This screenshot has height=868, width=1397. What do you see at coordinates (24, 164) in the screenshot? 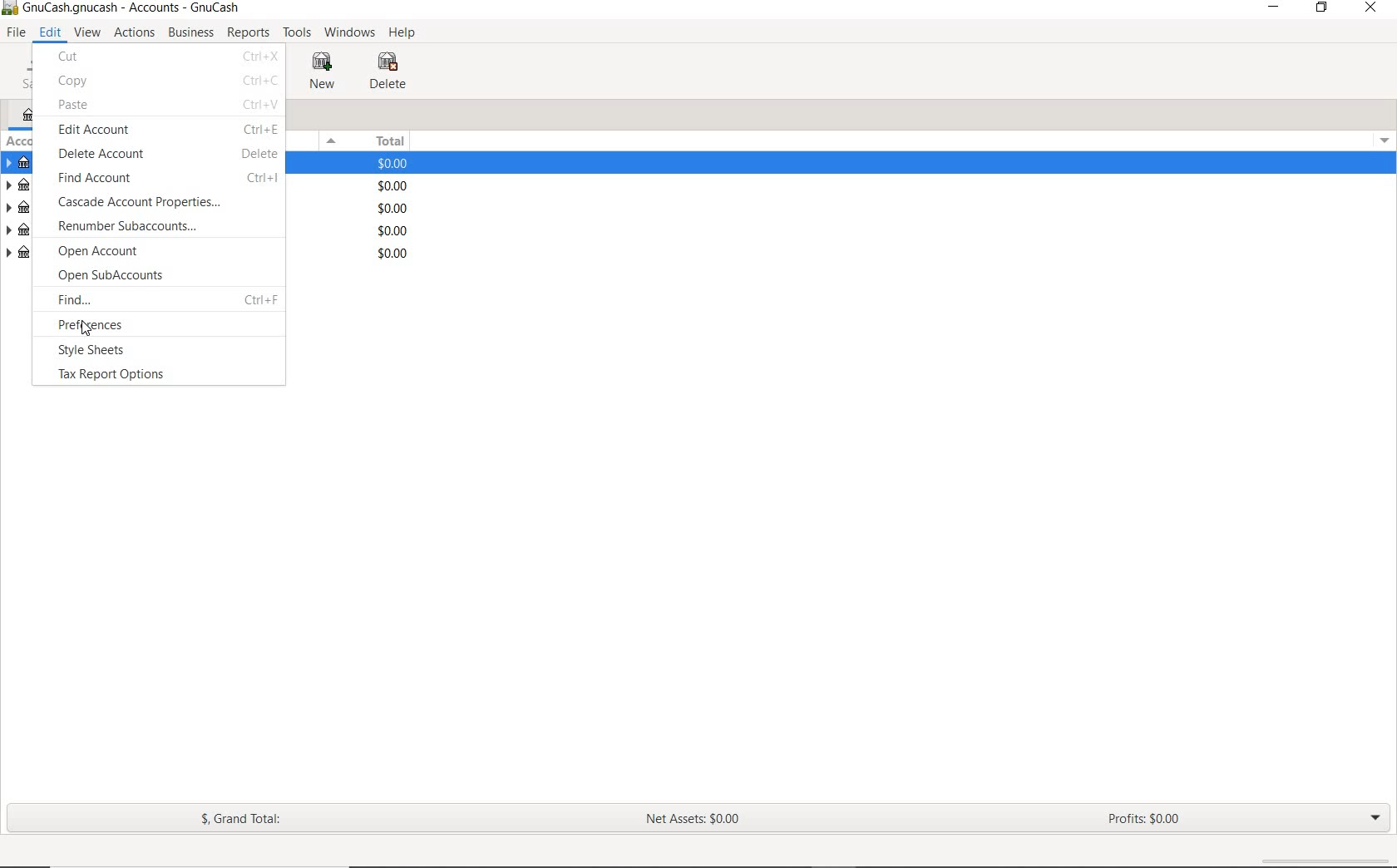
I see `ASSETS` at bounding box center [24, 164].